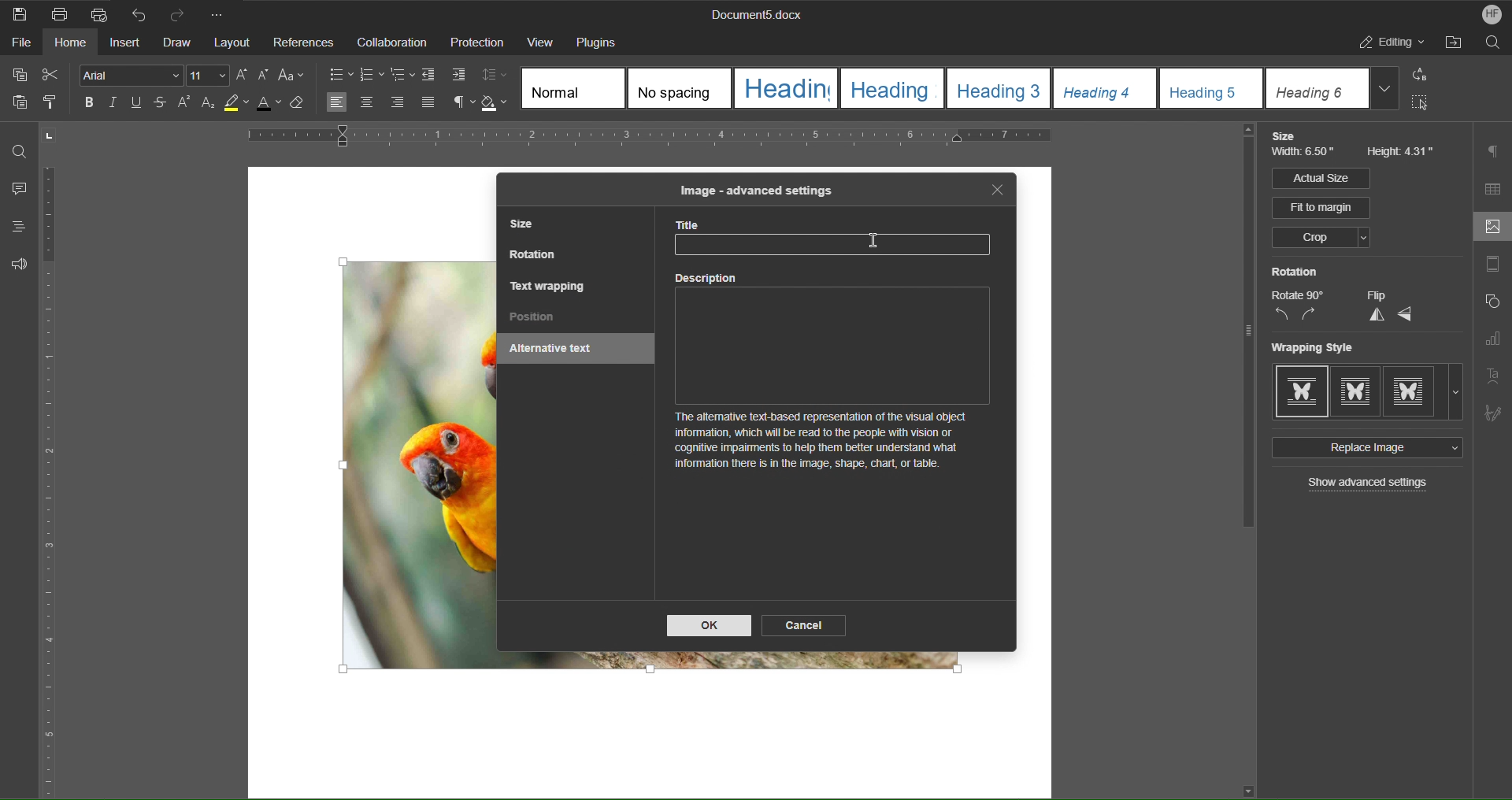 Image resolution: width=1512 pixels, height=800 pixels. I want to click on More, so click(221, 13).